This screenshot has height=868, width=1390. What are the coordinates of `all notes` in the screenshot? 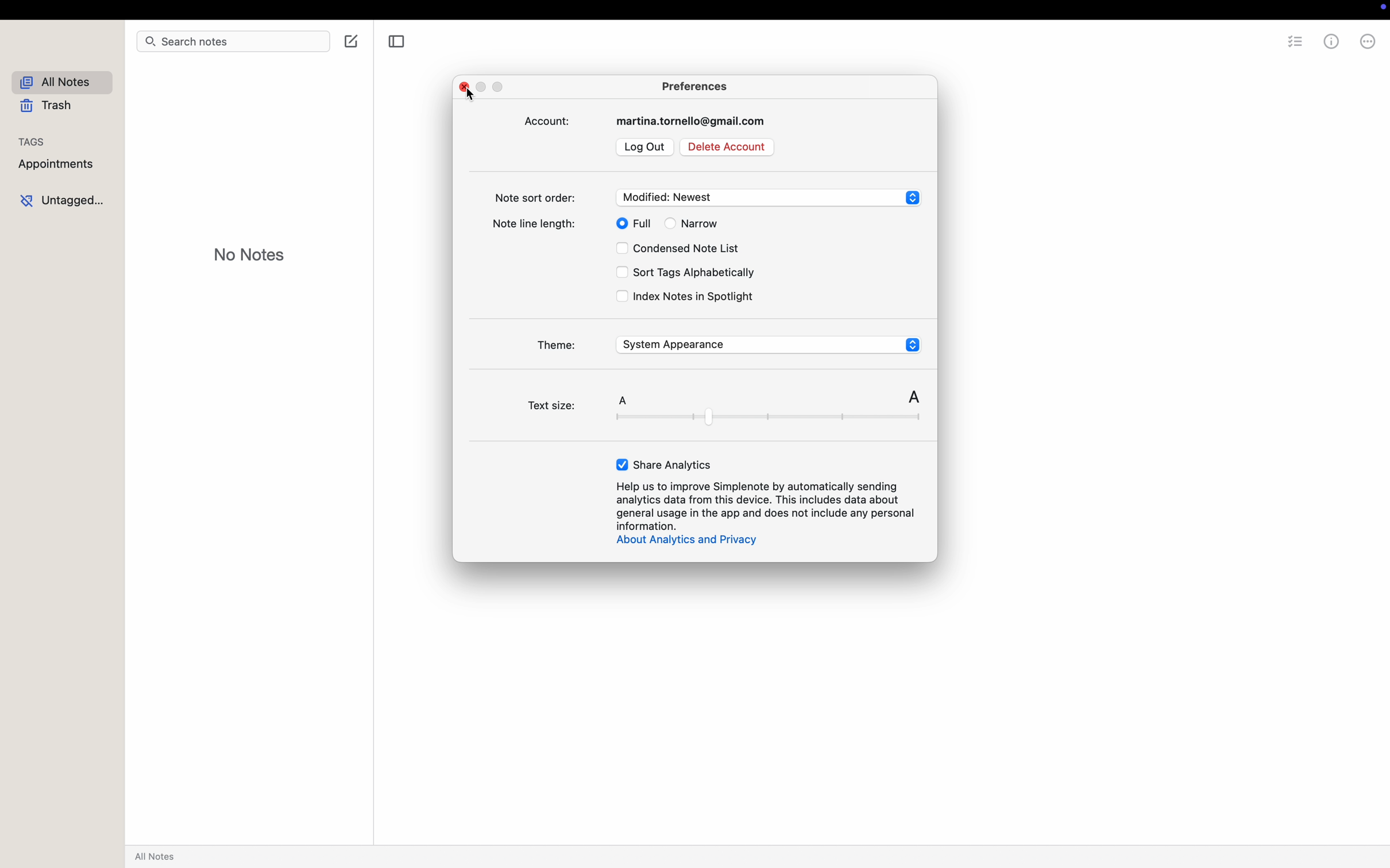 It's located at (157, 858).